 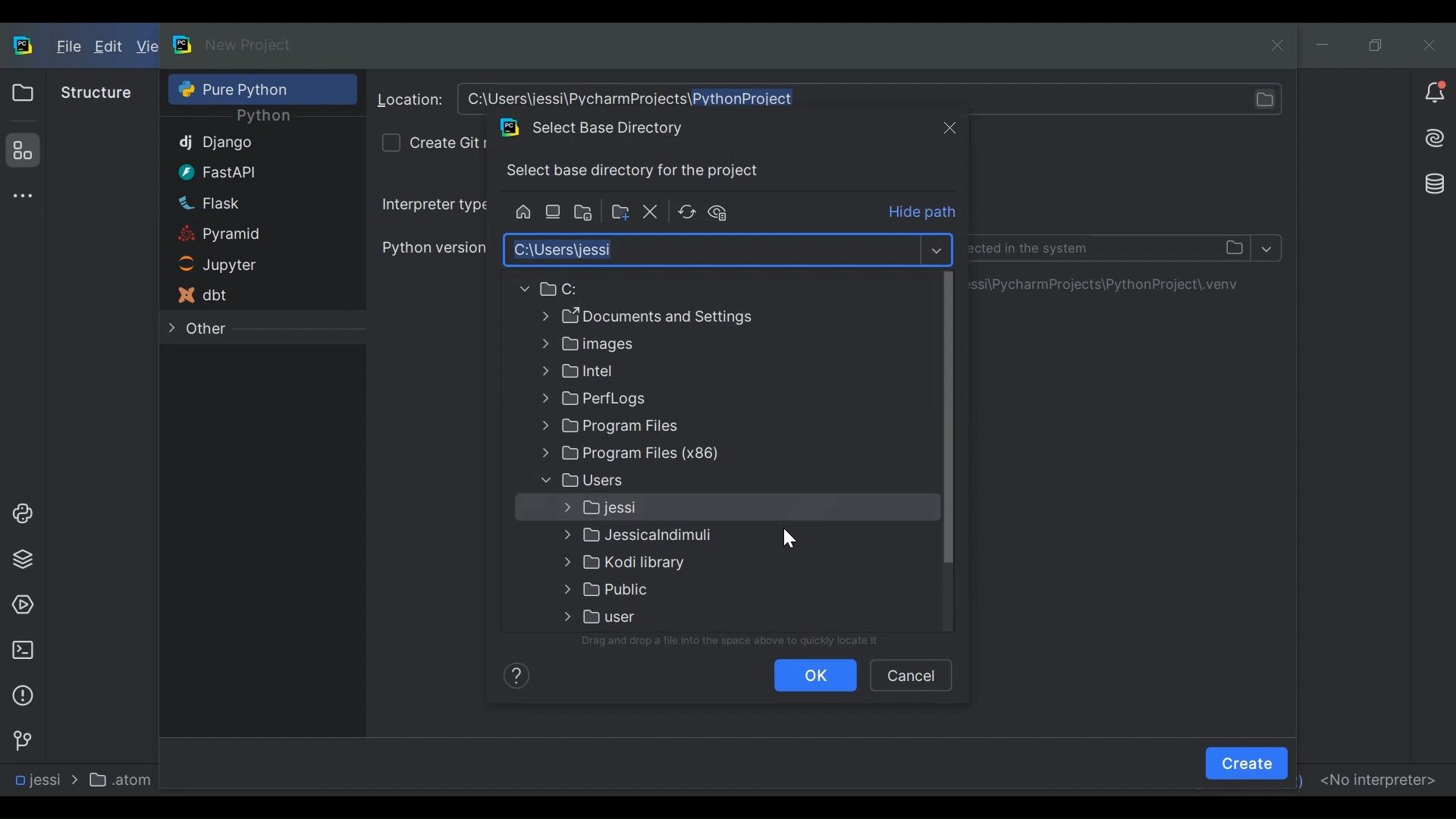 What do you see at coordinates (554, 212) in the screenshot?
I see `Desktop Directory` at bounding box center [554, 212].